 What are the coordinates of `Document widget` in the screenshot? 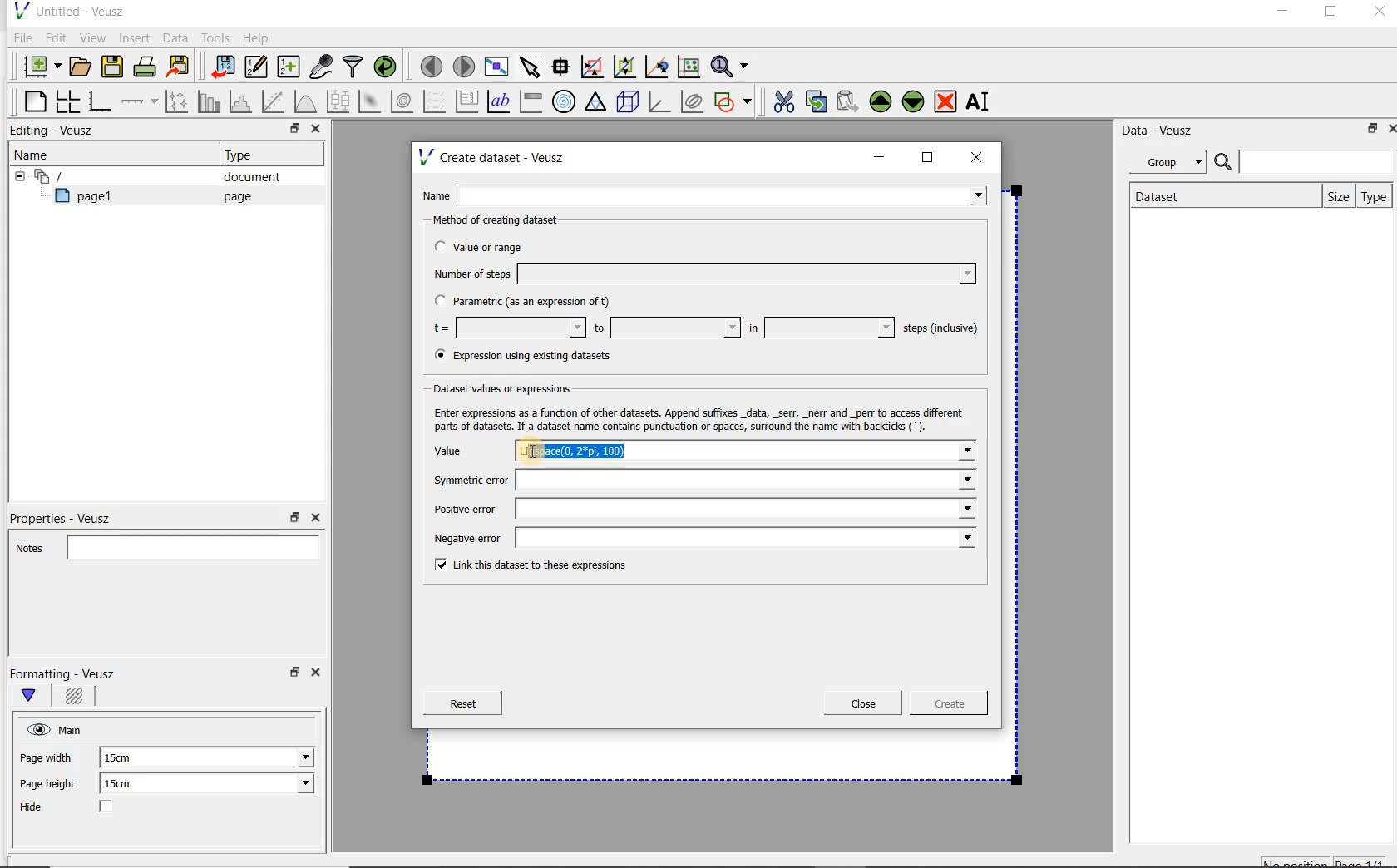 It's located at (78, 176).